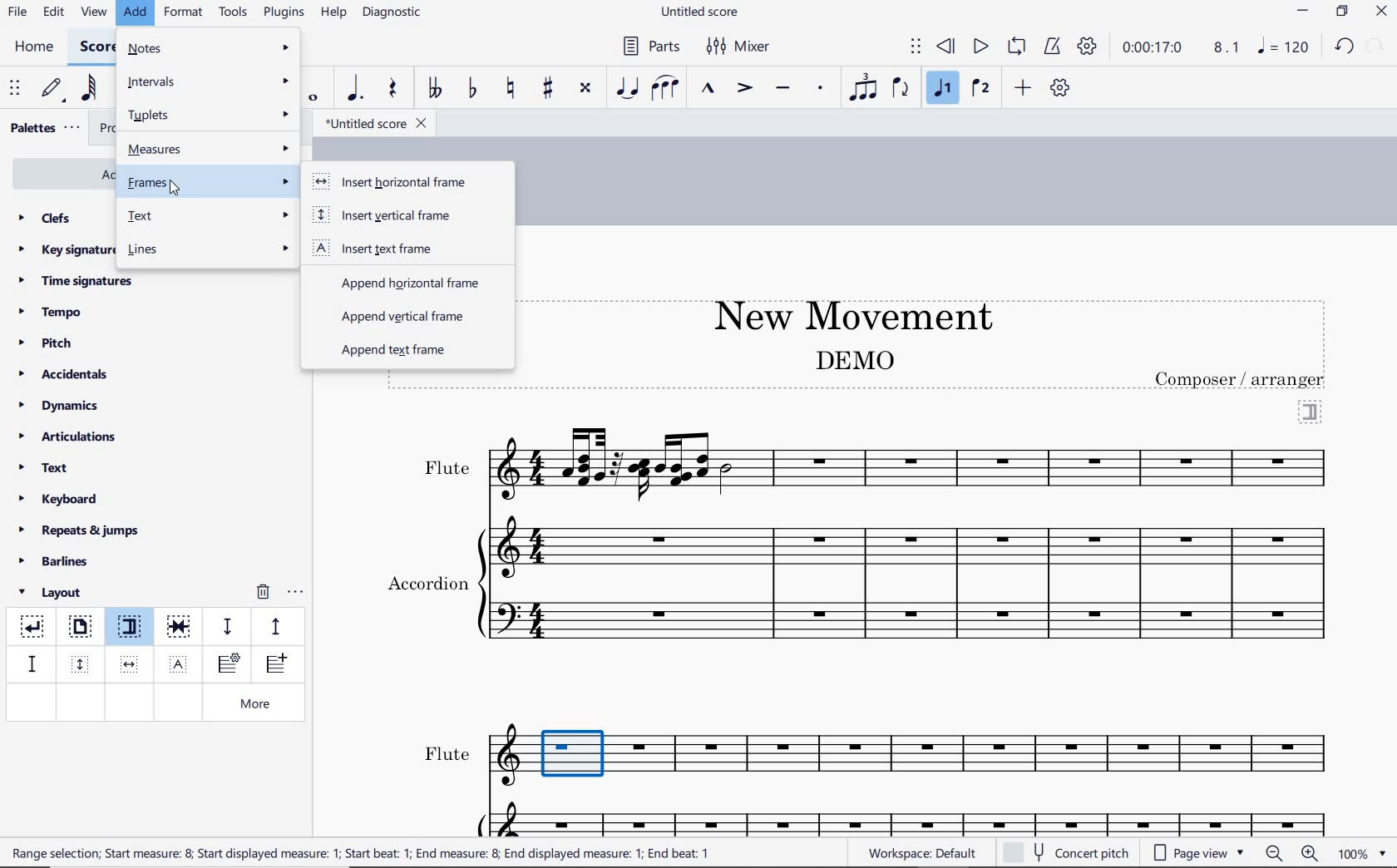 The width and height of the screenshot is (1397, 868). Describe the element at coordinates (17, 15) in the screenshot. I see `file` at that location.